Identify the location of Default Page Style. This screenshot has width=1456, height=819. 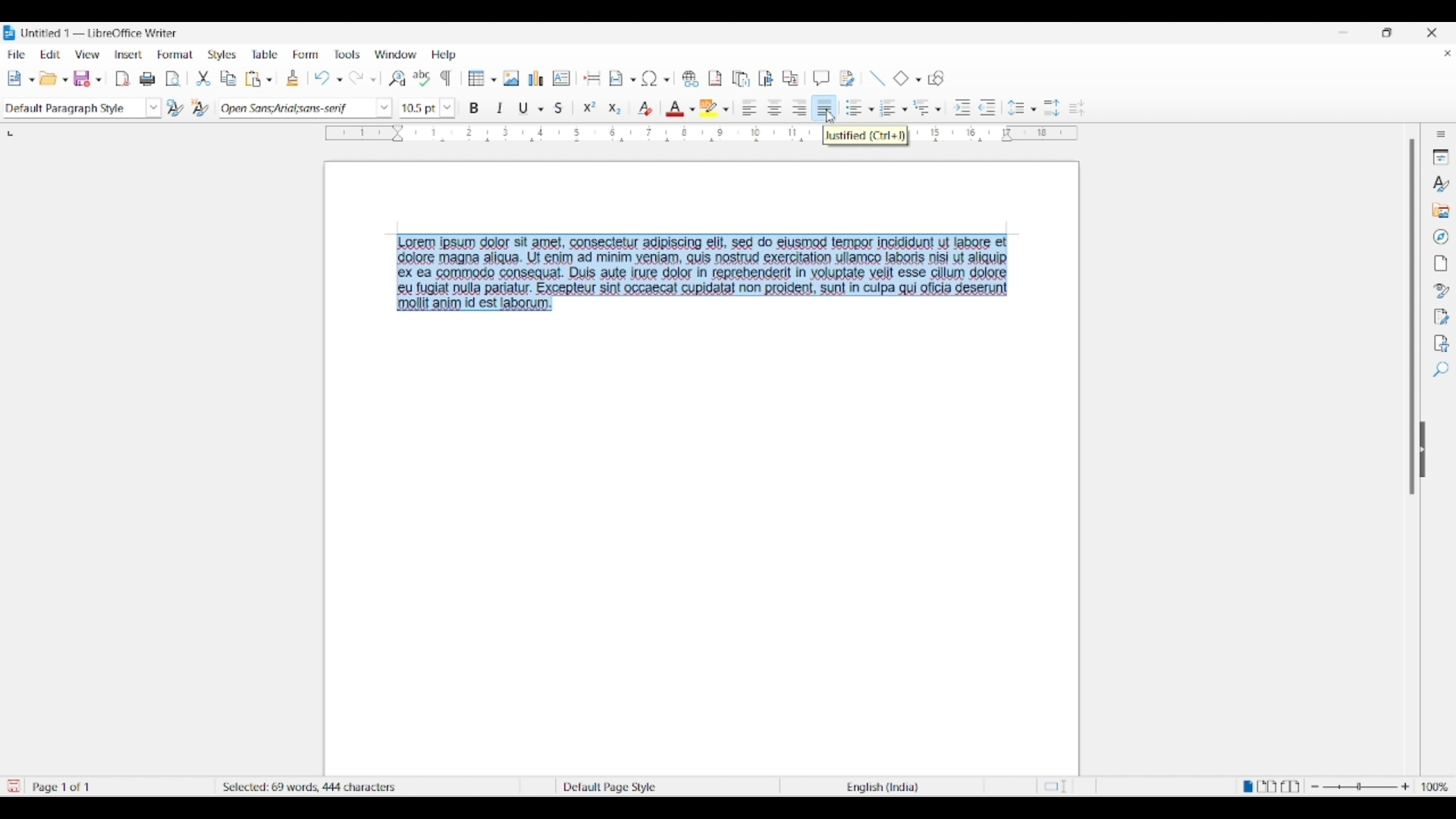
(609, 786).